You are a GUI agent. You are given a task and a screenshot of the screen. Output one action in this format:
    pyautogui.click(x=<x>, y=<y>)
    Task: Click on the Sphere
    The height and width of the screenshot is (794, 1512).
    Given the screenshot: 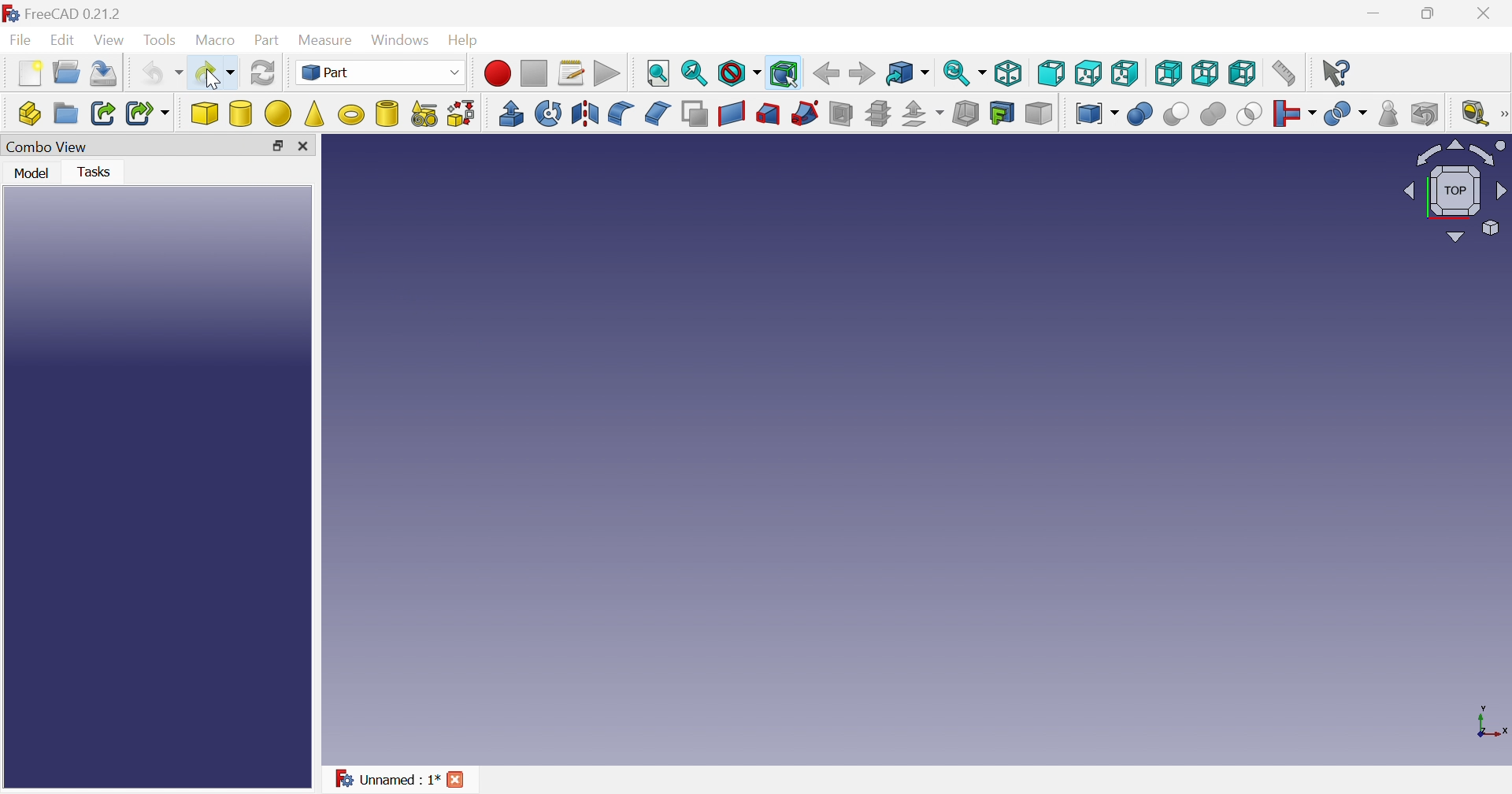 What is the action you would take?
    pyautogui.click(x=277, y=115)
    